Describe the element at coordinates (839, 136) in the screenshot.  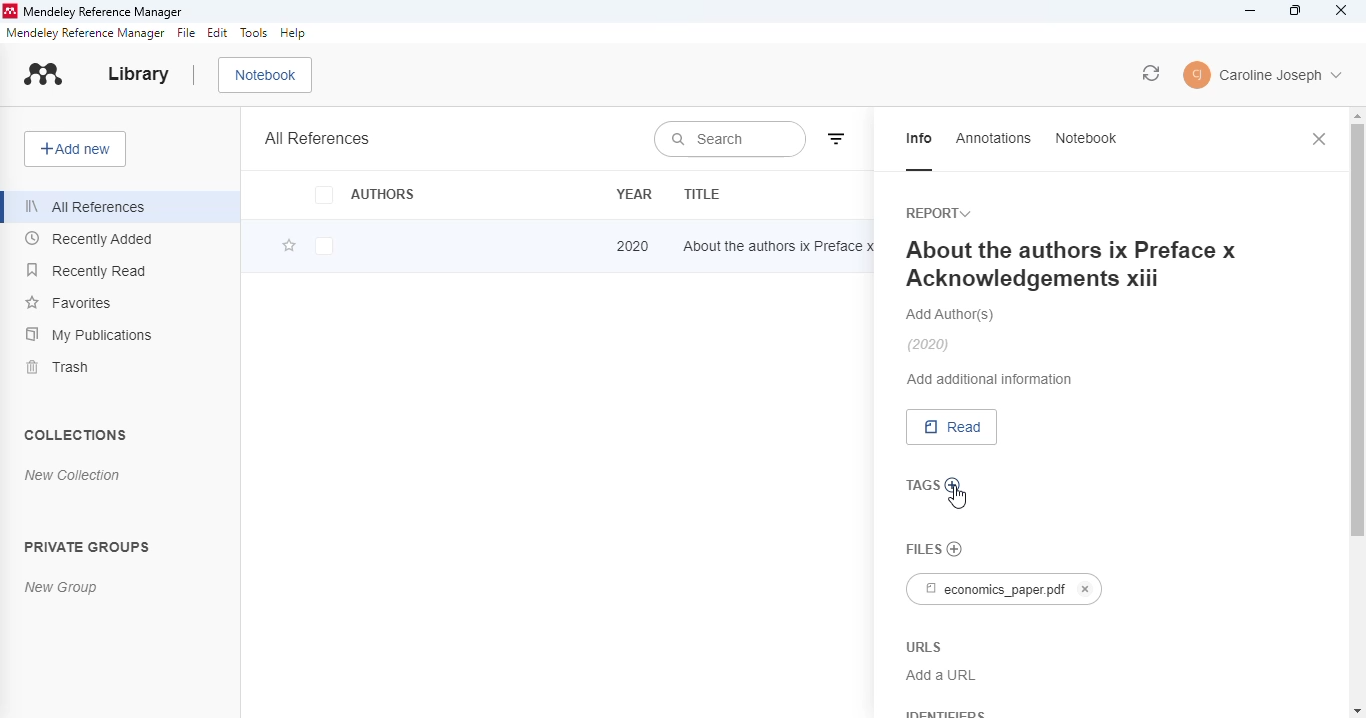
I see `filter by` at that location.